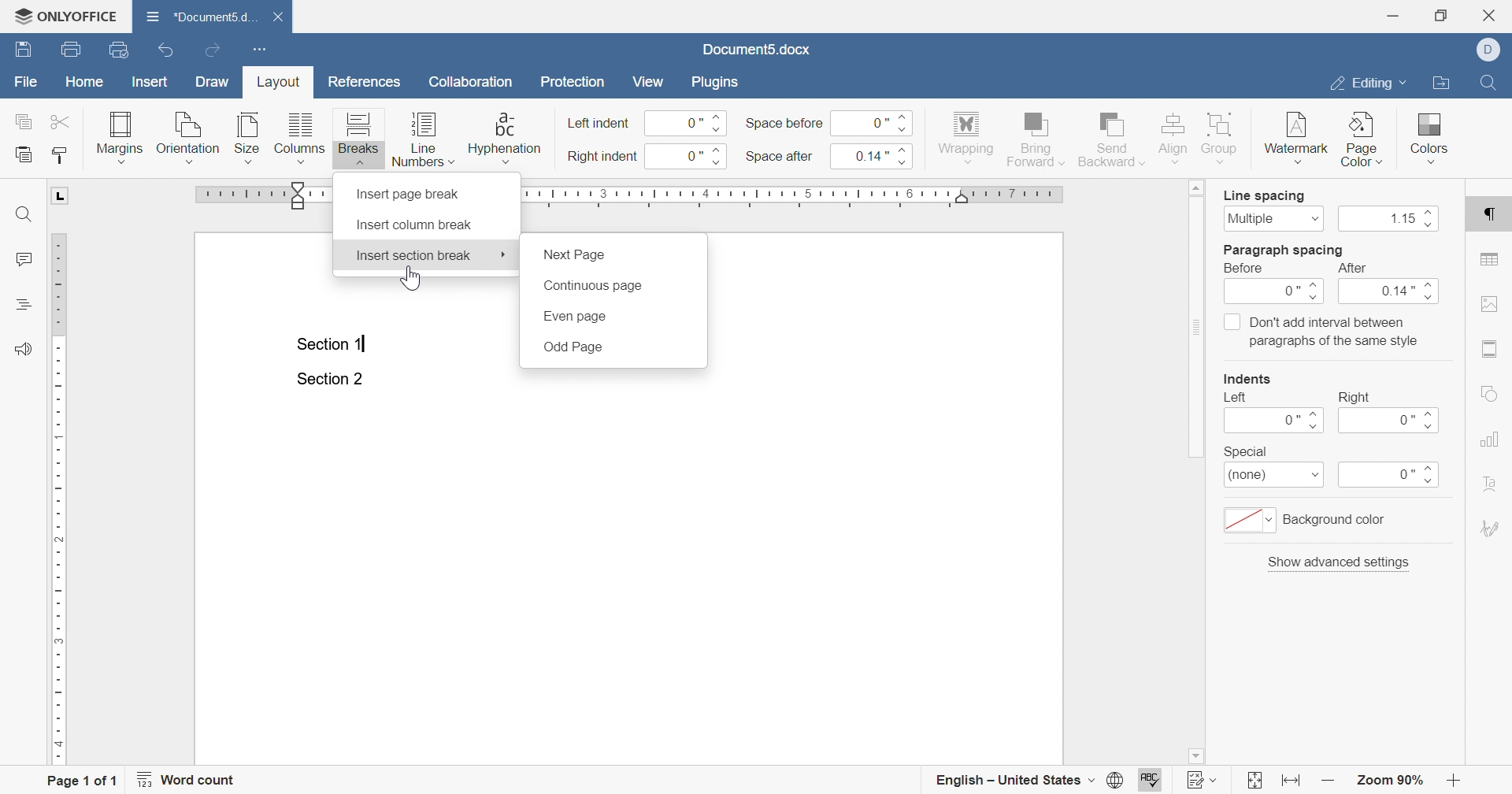 The width and height of the screenshot is (1512, 794). Describe the element at coordinates (1265, 196) in the screenshot. I see `line spacing` at that location.